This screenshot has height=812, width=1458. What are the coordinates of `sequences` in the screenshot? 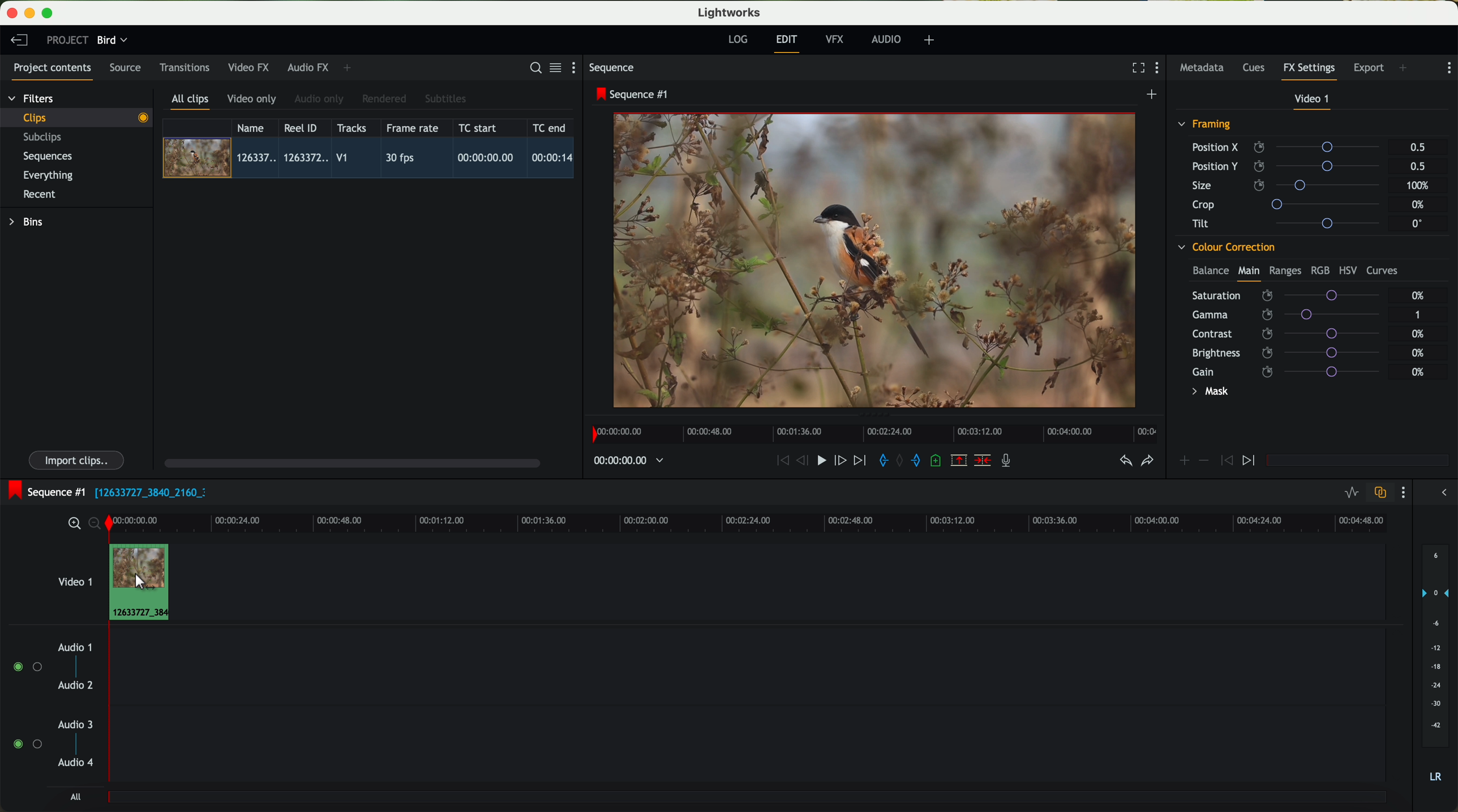 It's located at (48, 157).